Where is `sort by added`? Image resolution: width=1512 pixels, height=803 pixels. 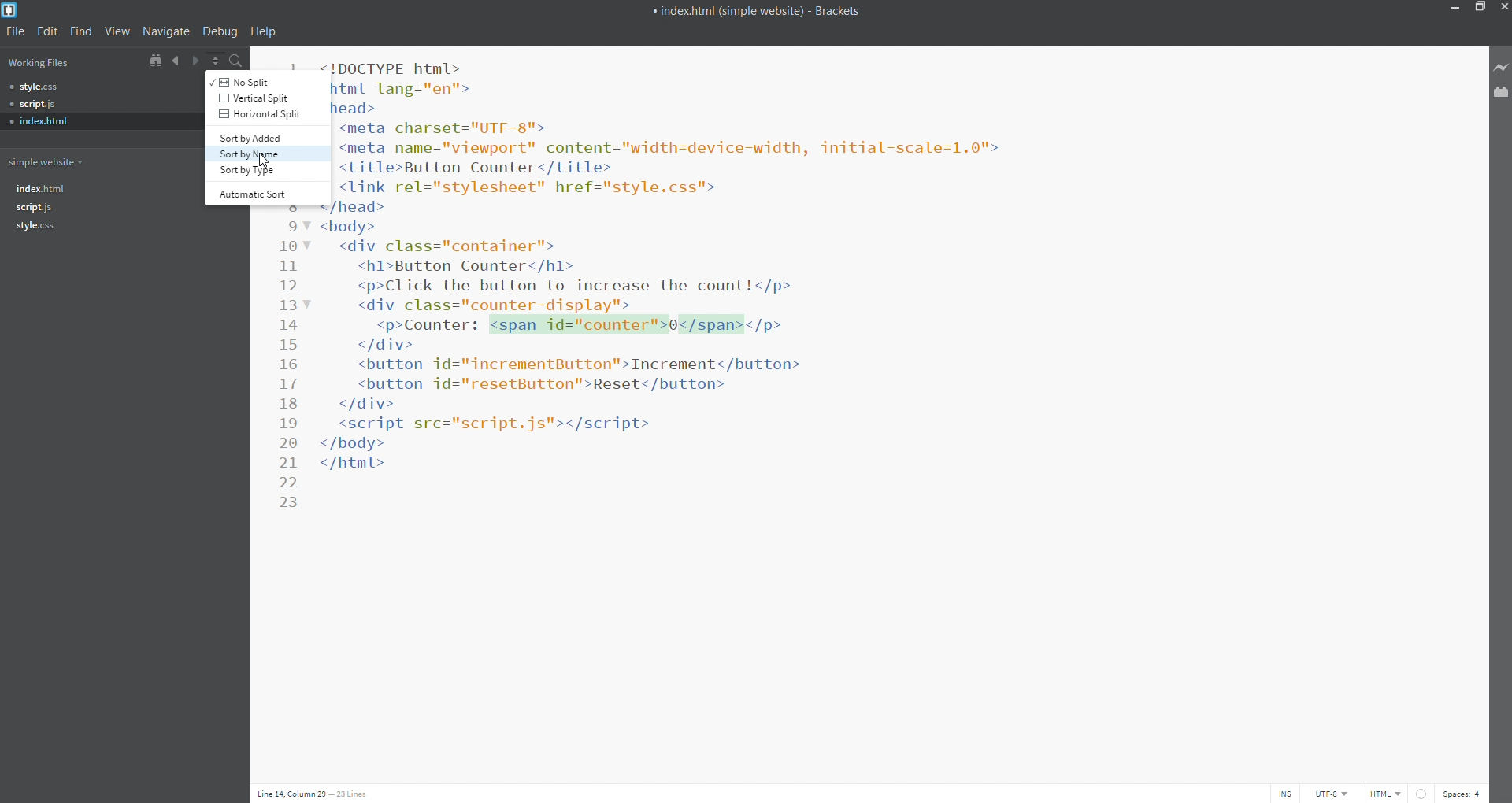
sort by added is located at coordinates (254, 135).